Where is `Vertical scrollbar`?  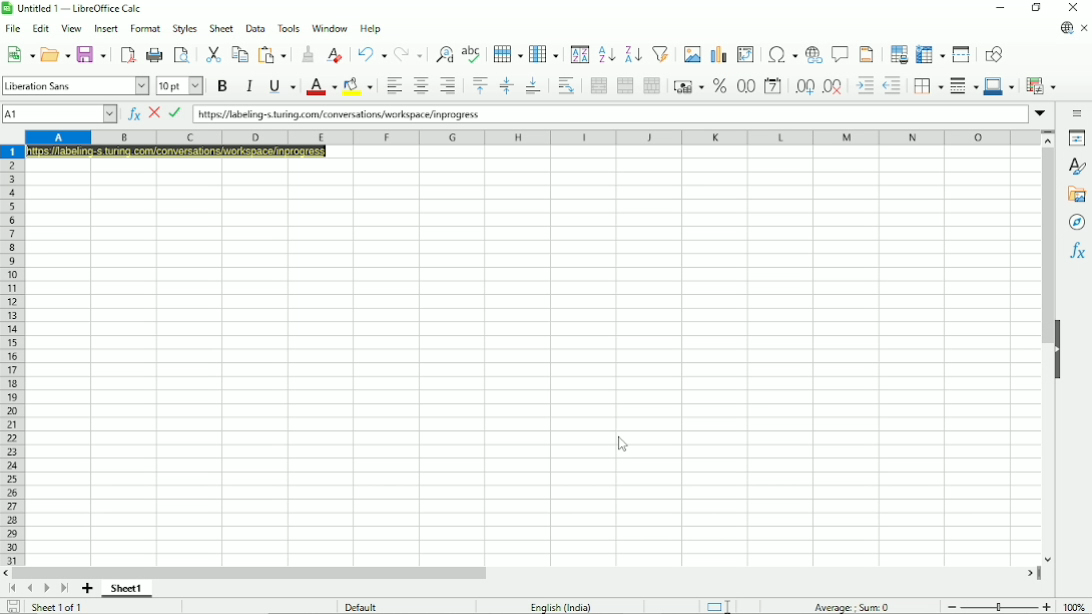
Vertical scrollbar is located at coordinates (1048, 249).